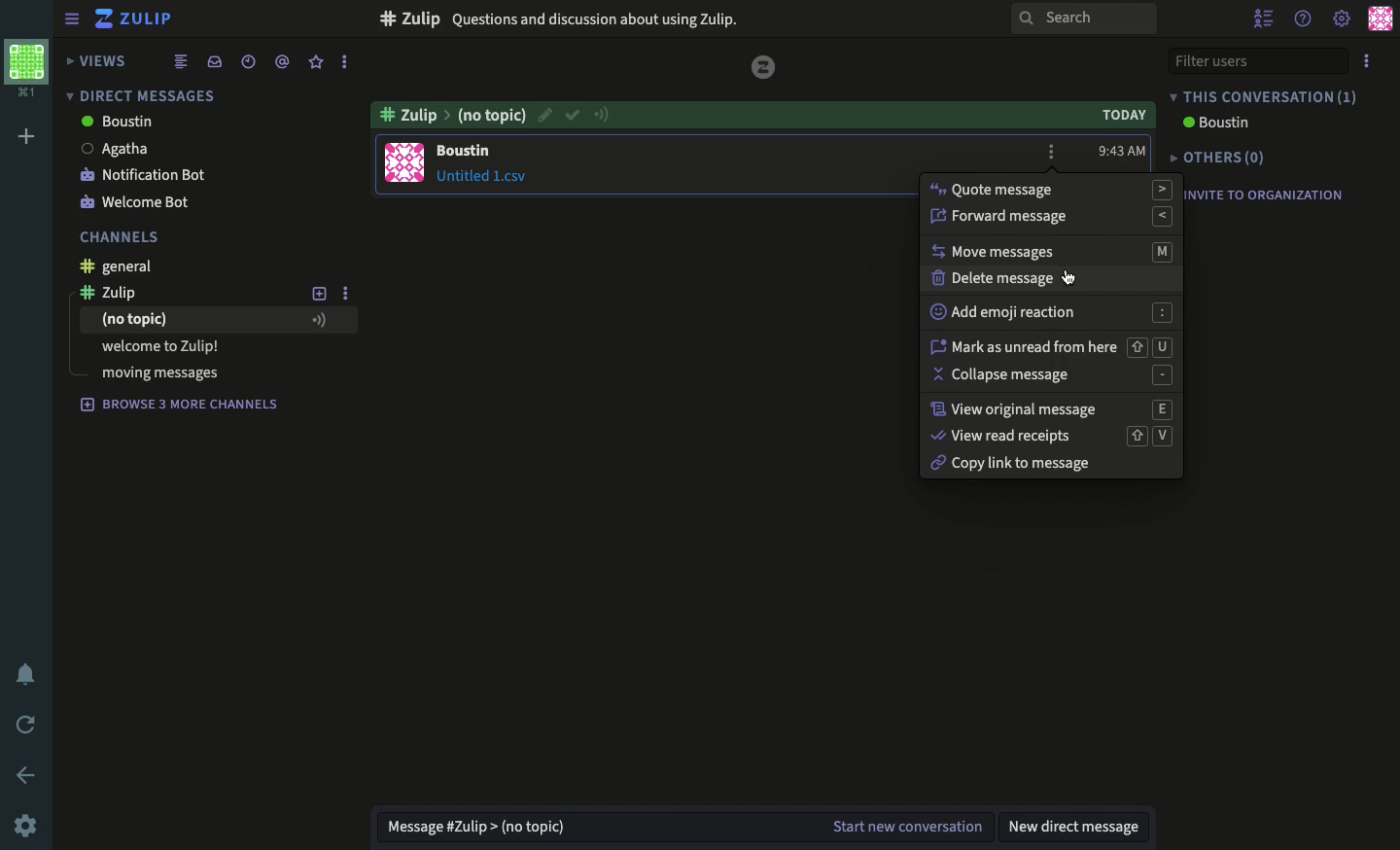 The image size is (1400, 850). What do you see at coordinates (214, 61) in the screenshot?
I see `inbox` at bounding box center [214, 61].